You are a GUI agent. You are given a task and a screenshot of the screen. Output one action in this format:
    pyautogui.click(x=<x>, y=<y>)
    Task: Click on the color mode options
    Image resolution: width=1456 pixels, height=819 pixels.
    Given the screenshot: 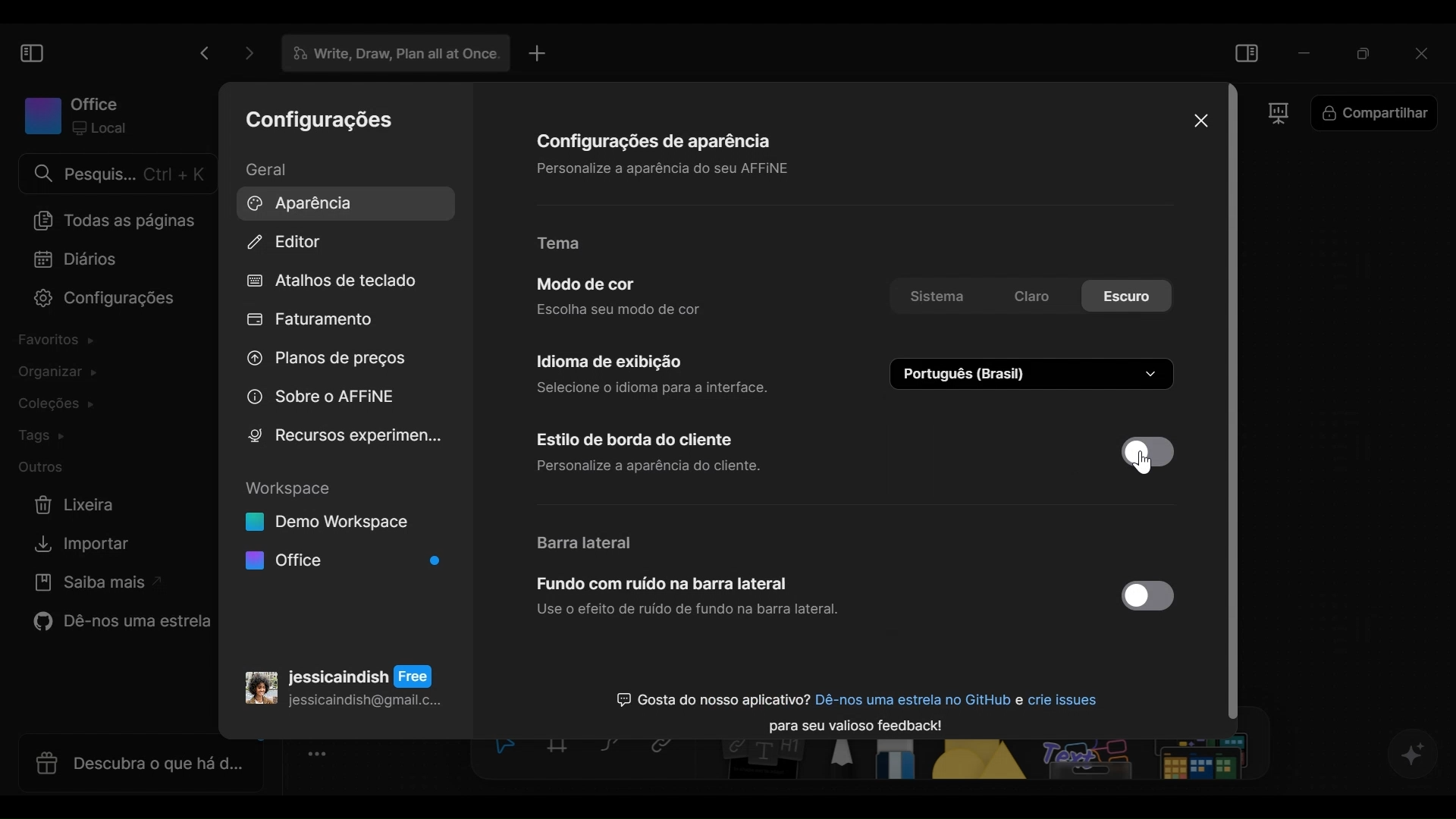 What is the action you would take?
    pyautogui.click(x=1031, y=298)
    